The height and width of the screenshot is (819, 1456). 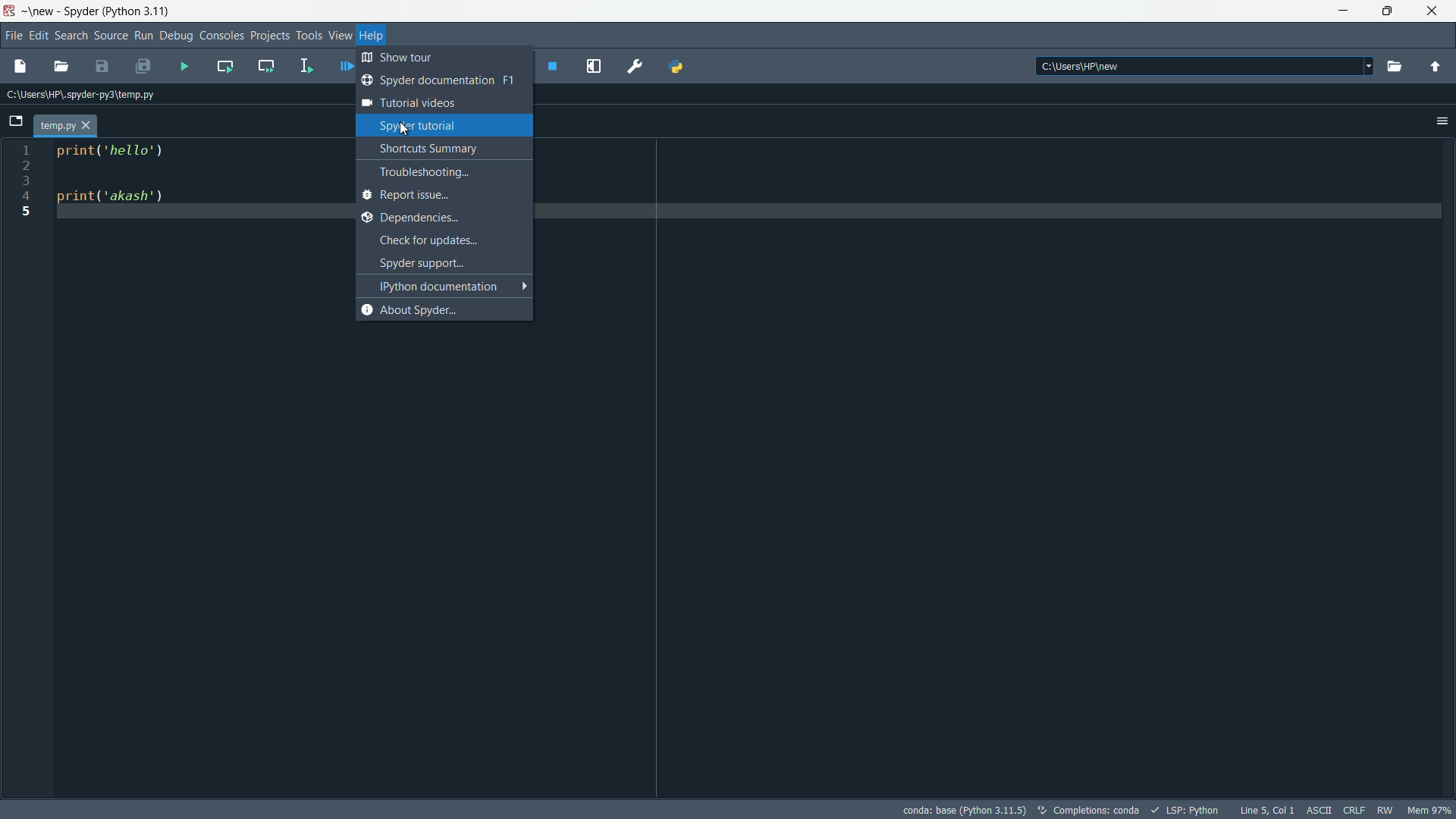 I want to click on app icon, so click(x=12, y=11).